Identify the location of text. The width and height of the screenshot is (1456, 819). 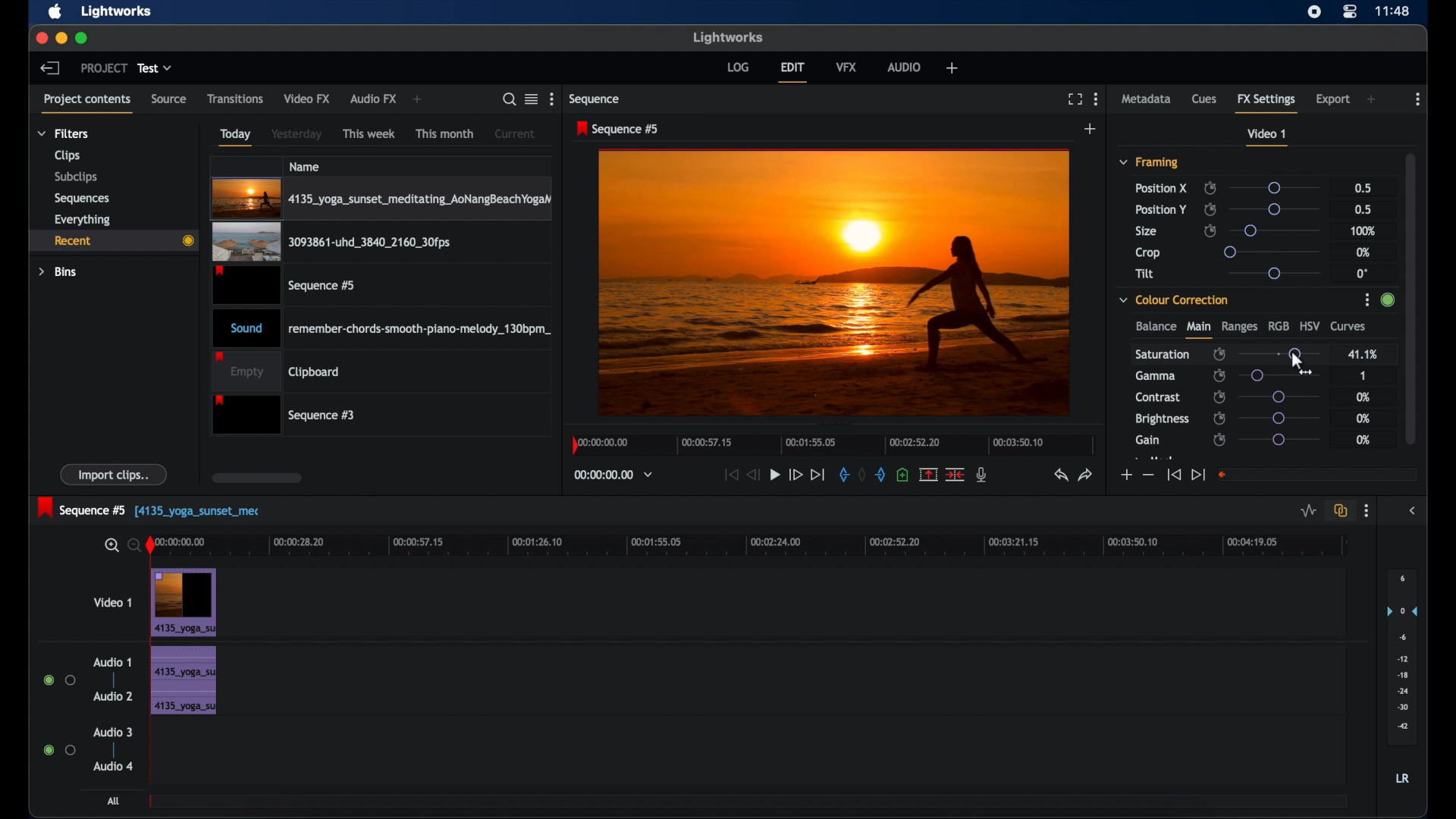
(200, 512).